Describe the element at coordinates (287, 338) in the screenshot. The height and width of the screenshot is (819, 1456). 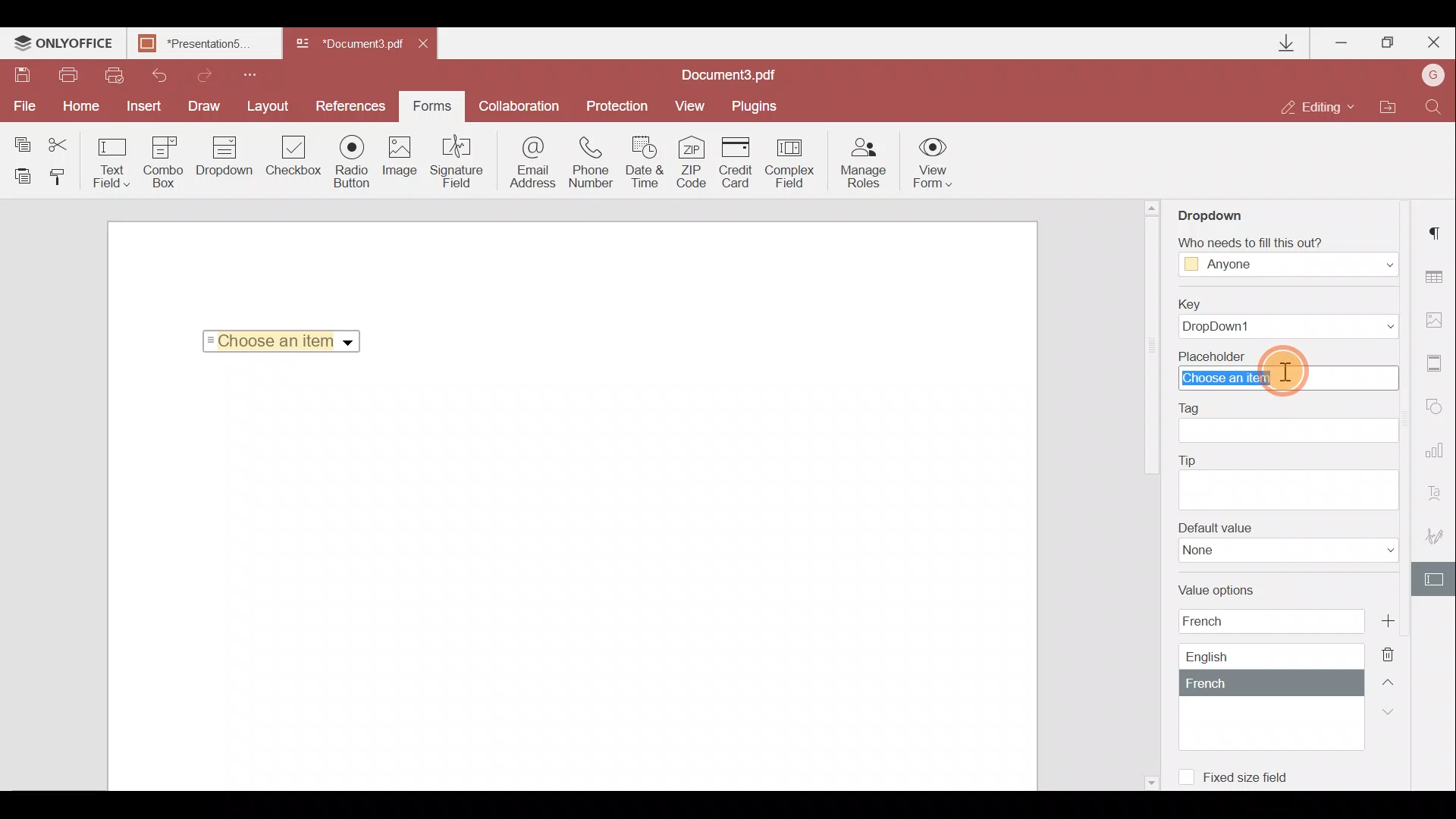
I see `Choose an item ` at that location.